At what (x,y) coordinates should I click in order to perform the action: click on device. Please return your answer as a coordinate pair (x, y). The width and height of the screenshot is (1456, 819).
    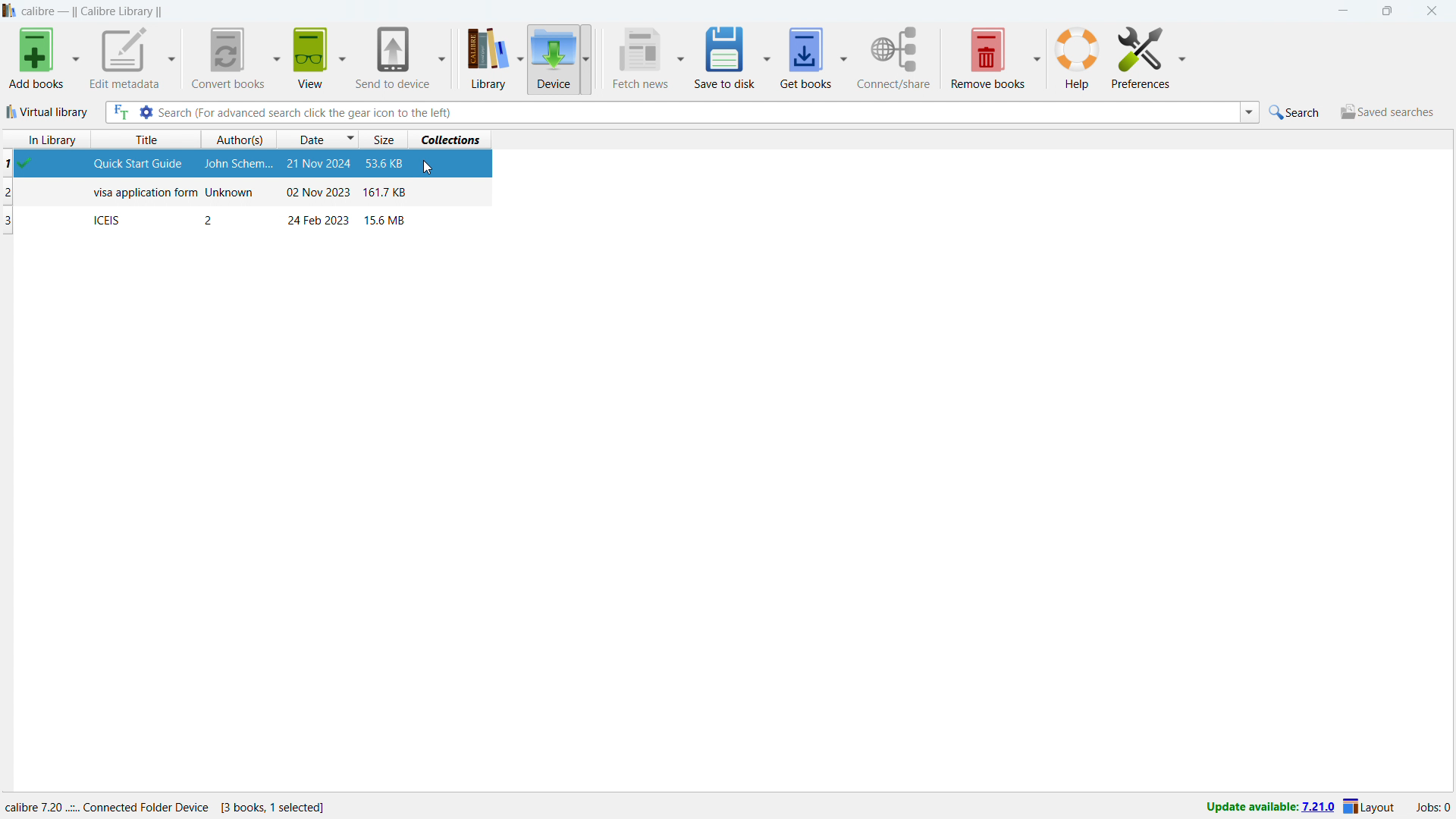
    Looking at the image, I should click on (553, 58).